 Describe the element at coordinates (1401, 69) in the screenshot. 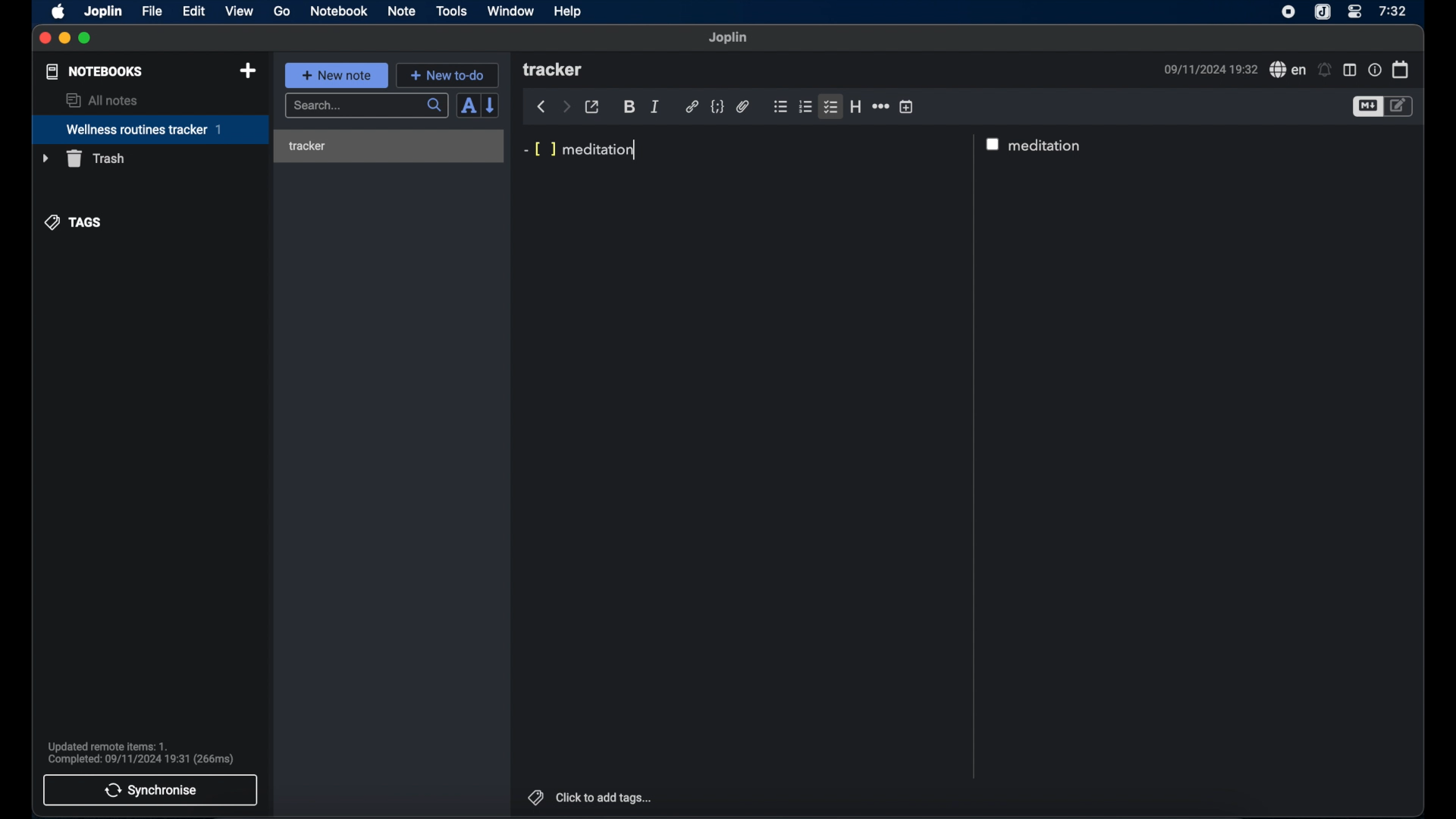

I see `calendar` at that location.